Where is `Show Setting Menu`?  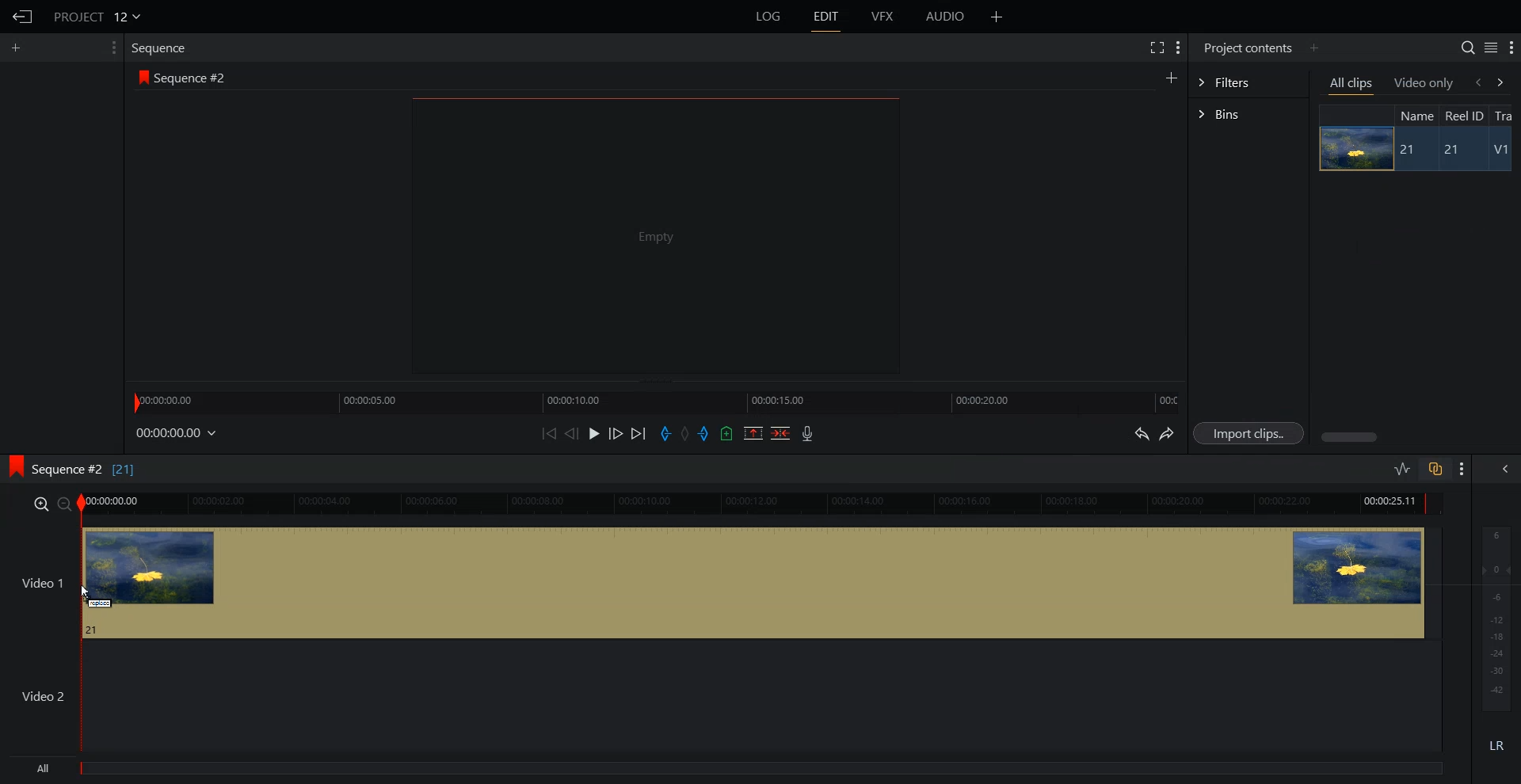 Show Setting Menu is located at coordinates (1462, 470).